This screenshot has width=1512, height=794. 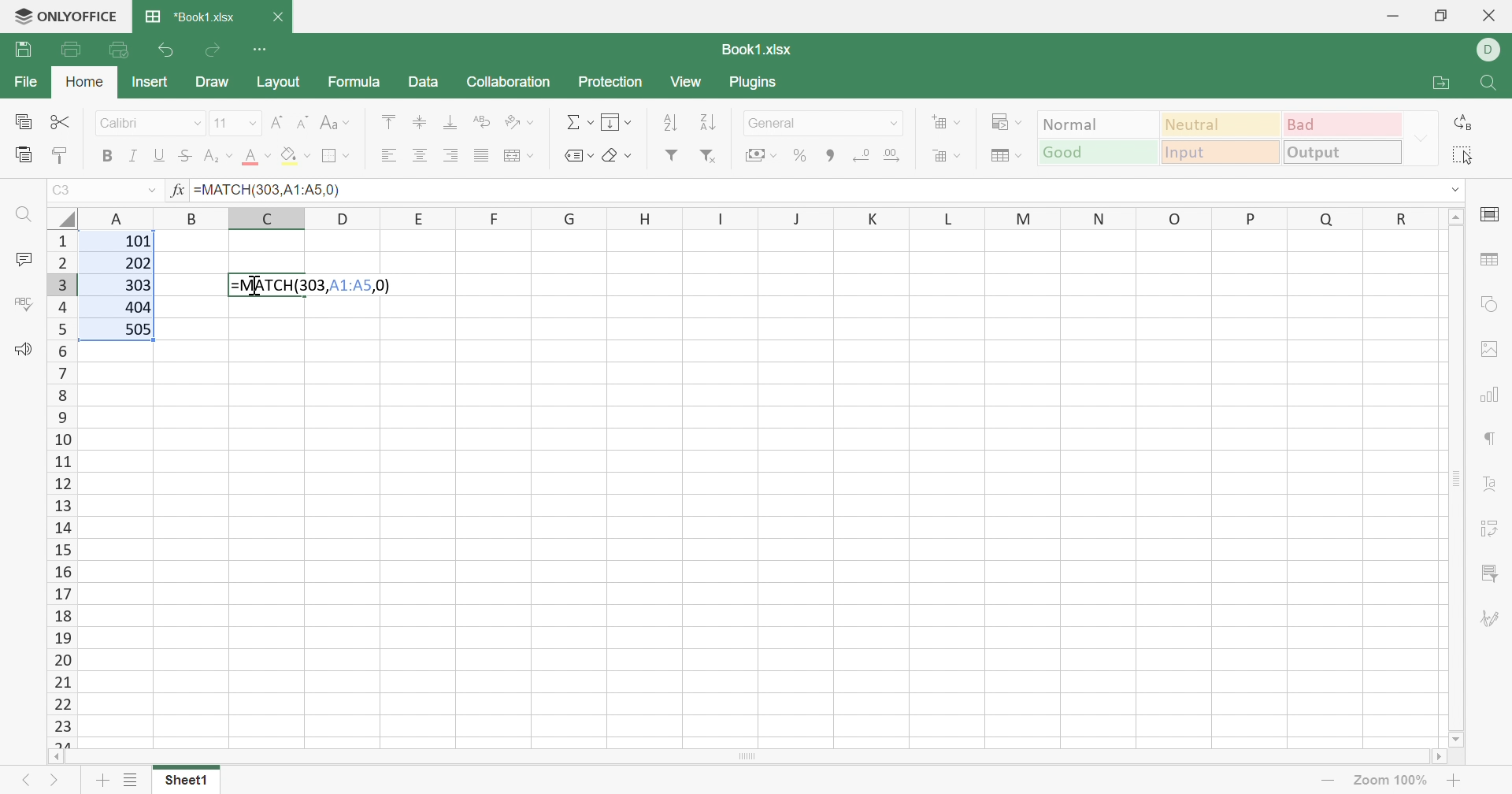 What do you see at coordinates (131, 780) in the screenshot?
I see `List of sheets` at bounding box center [131, 780].